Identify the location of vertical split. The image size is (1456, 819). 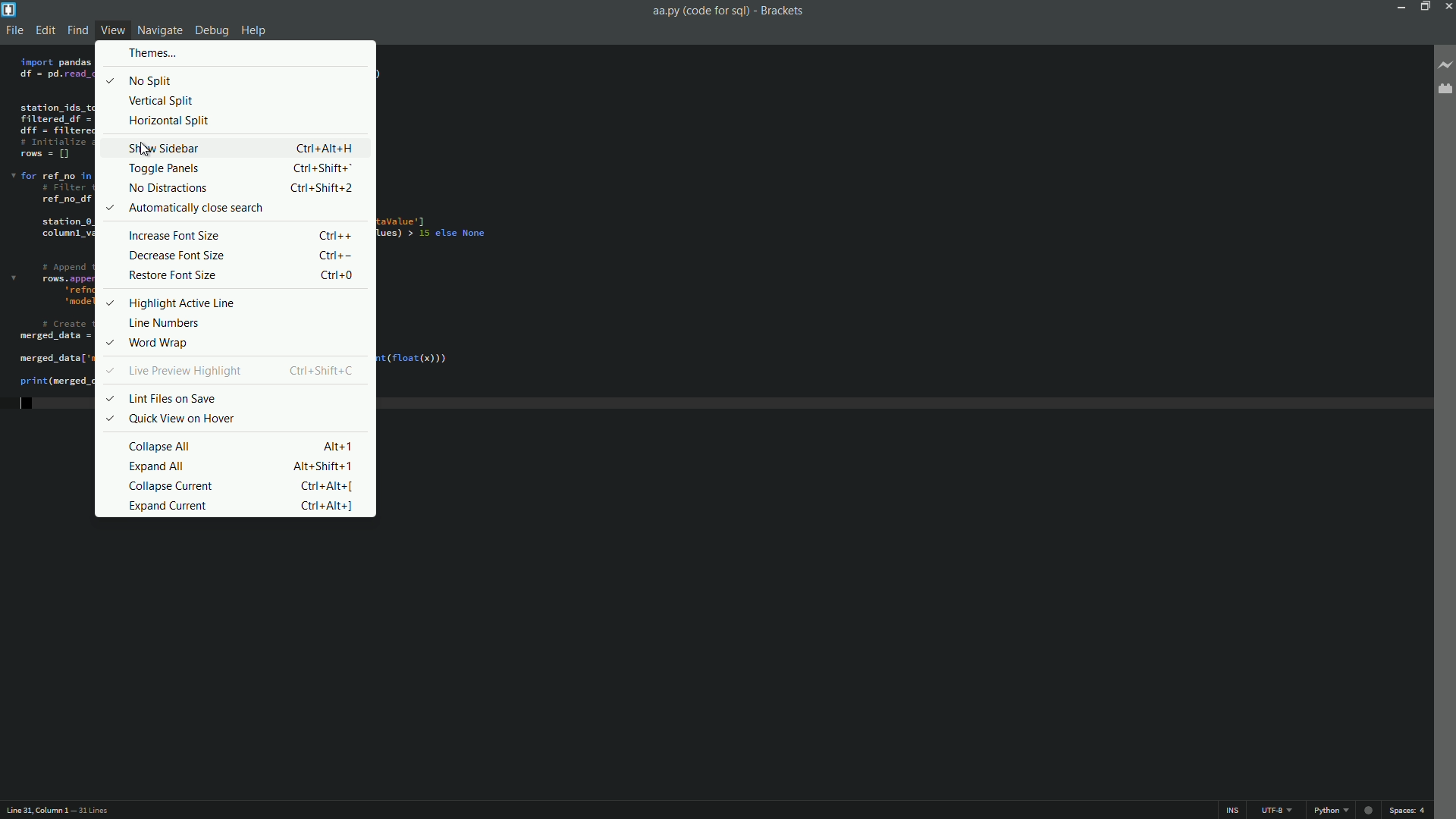
(162, 101).